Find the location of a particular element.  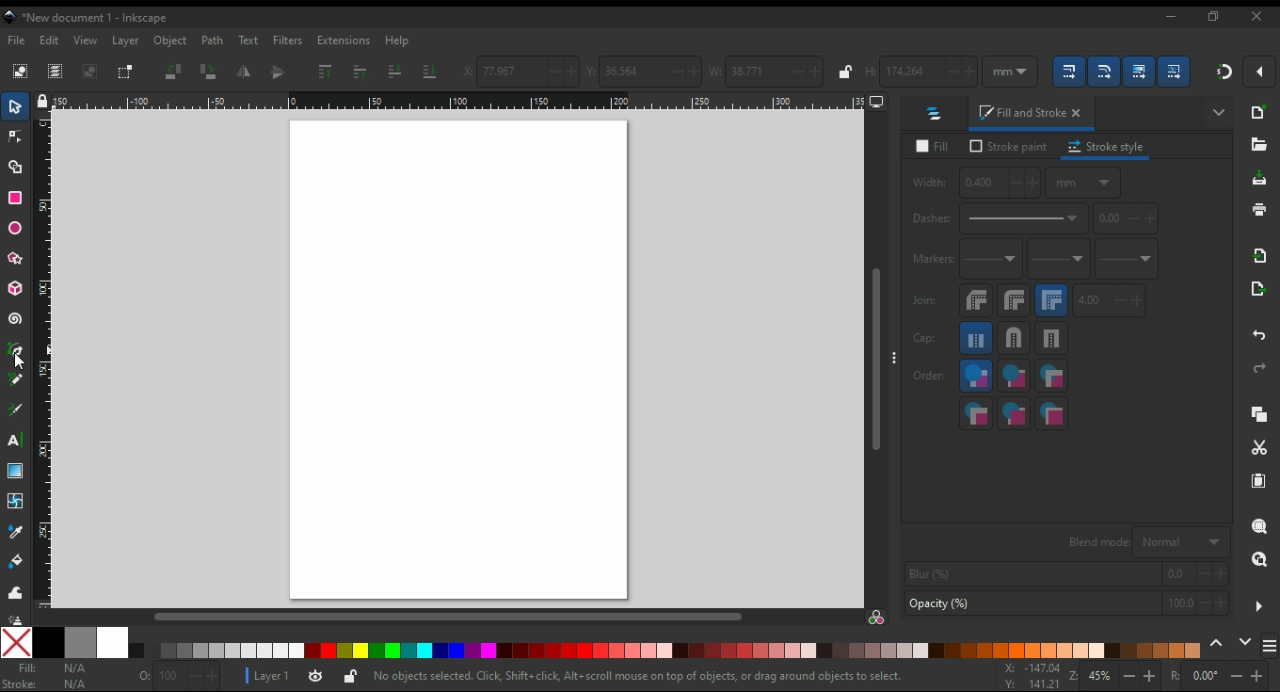

round is located at coordinates (1014, 301).